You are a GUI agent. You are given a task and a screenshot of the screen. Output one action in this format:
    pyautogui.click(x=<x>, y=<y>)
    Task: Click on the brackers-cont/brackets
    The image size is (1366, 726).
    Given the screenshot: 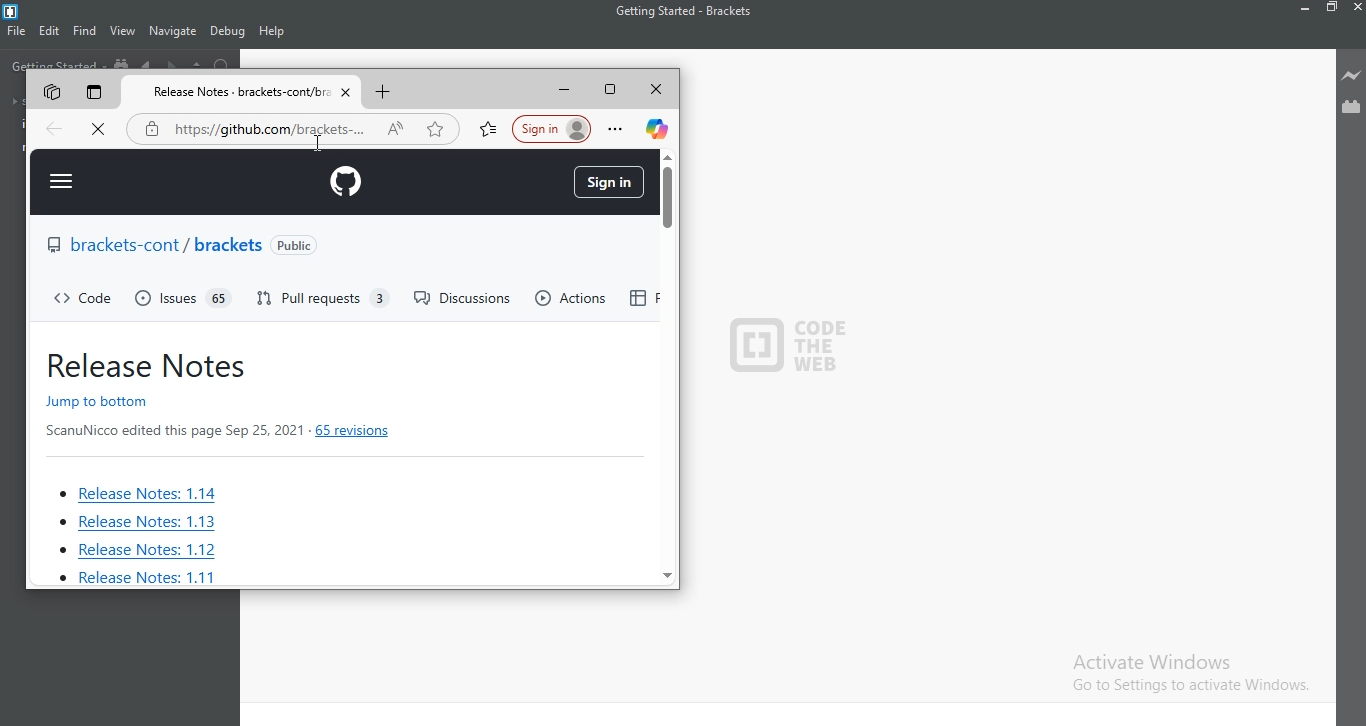 What is the action you would take?
    pyautogui.click(x=151, y=248)
    